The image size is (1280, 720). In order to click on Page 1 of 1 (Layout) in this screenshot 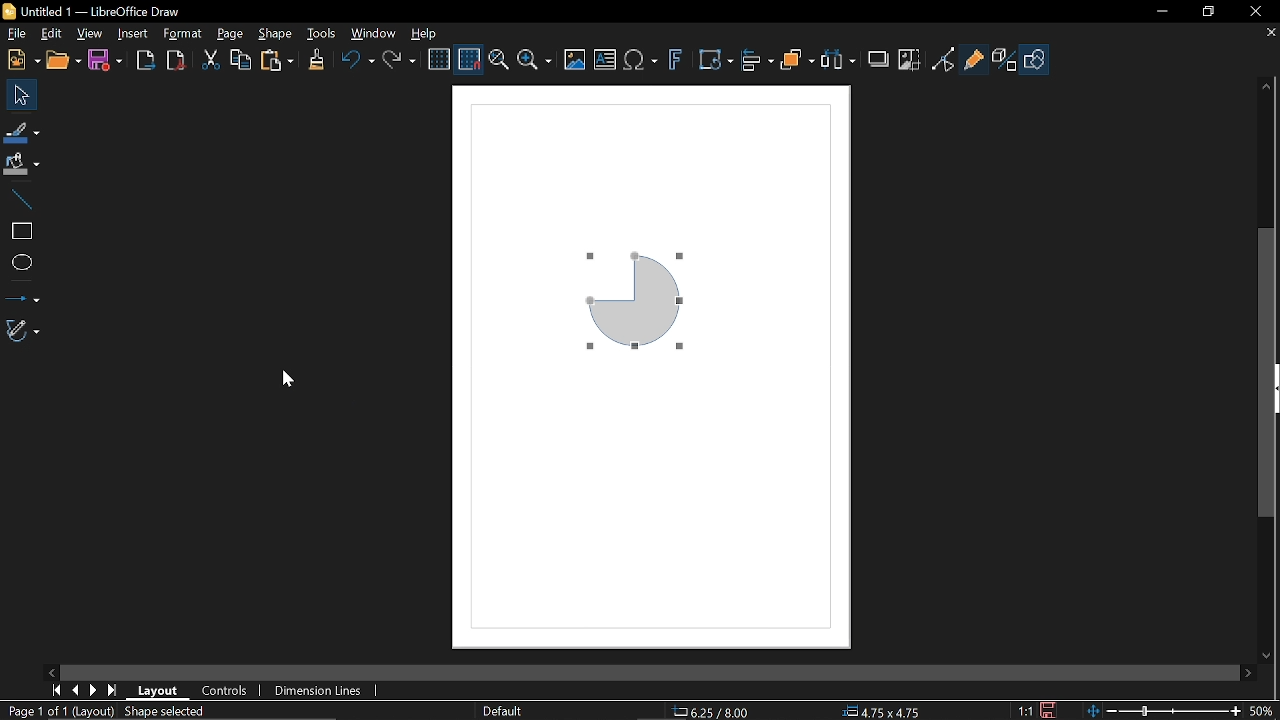, I will do `click(59, 711)`.